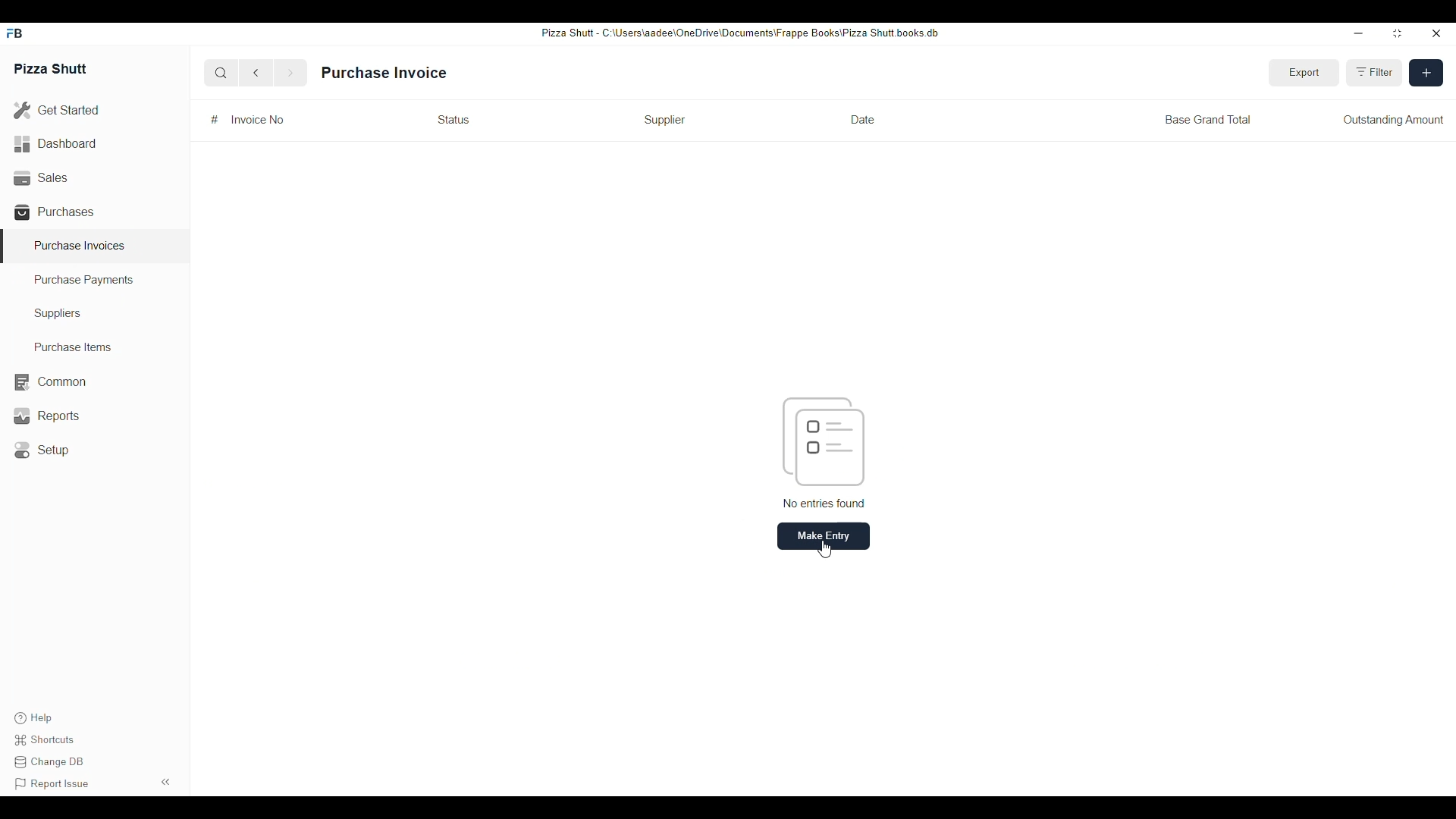 This screenshot has width=1456, height=819. Describe the element at coordinates (1208, 119) in the screenshot. I see `Base Grand Total` at that location.